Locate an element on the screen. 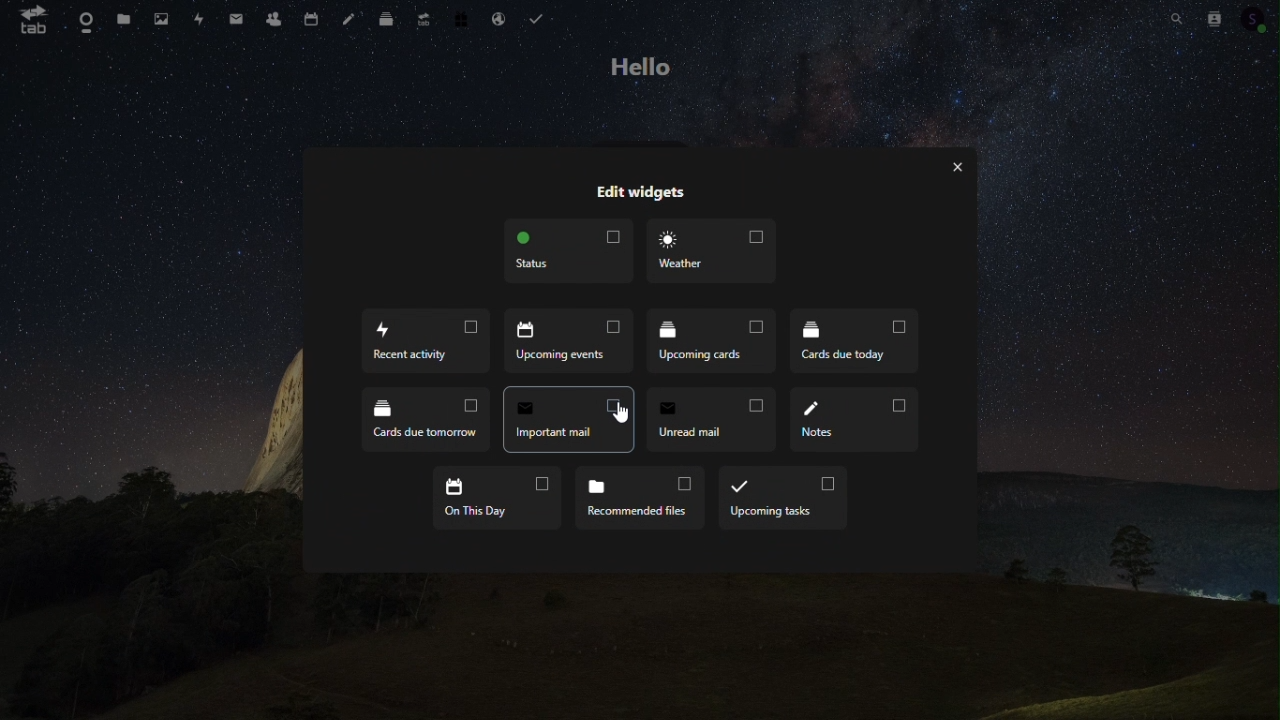 This screenshot has height=720, width=1280. Contacts is located at coordinates (272, 18).